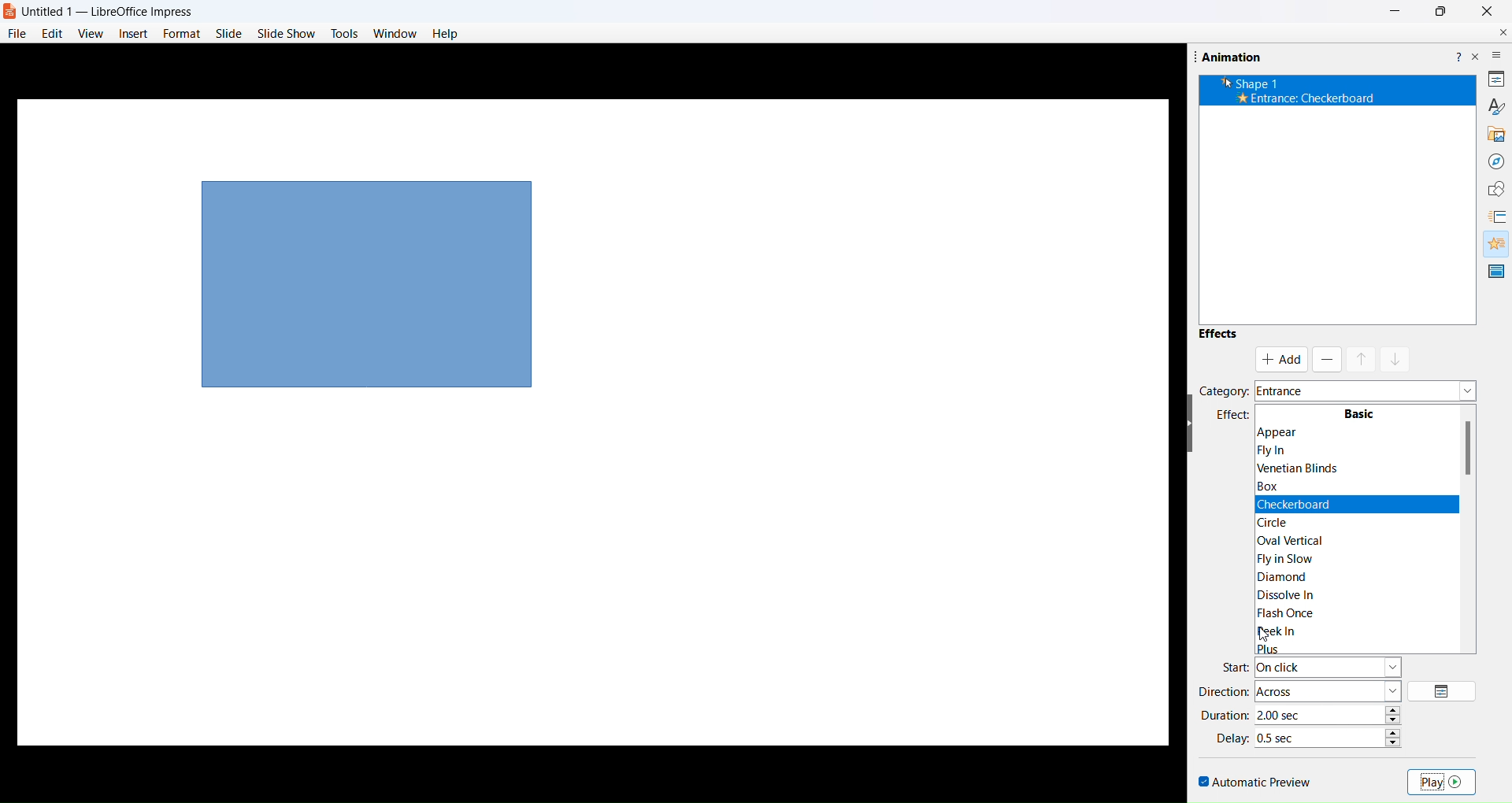 The image size is (1512, 803). Describe the element at coordinates (1254, 779) in the screenshot. I see `automatic preview` at that location.